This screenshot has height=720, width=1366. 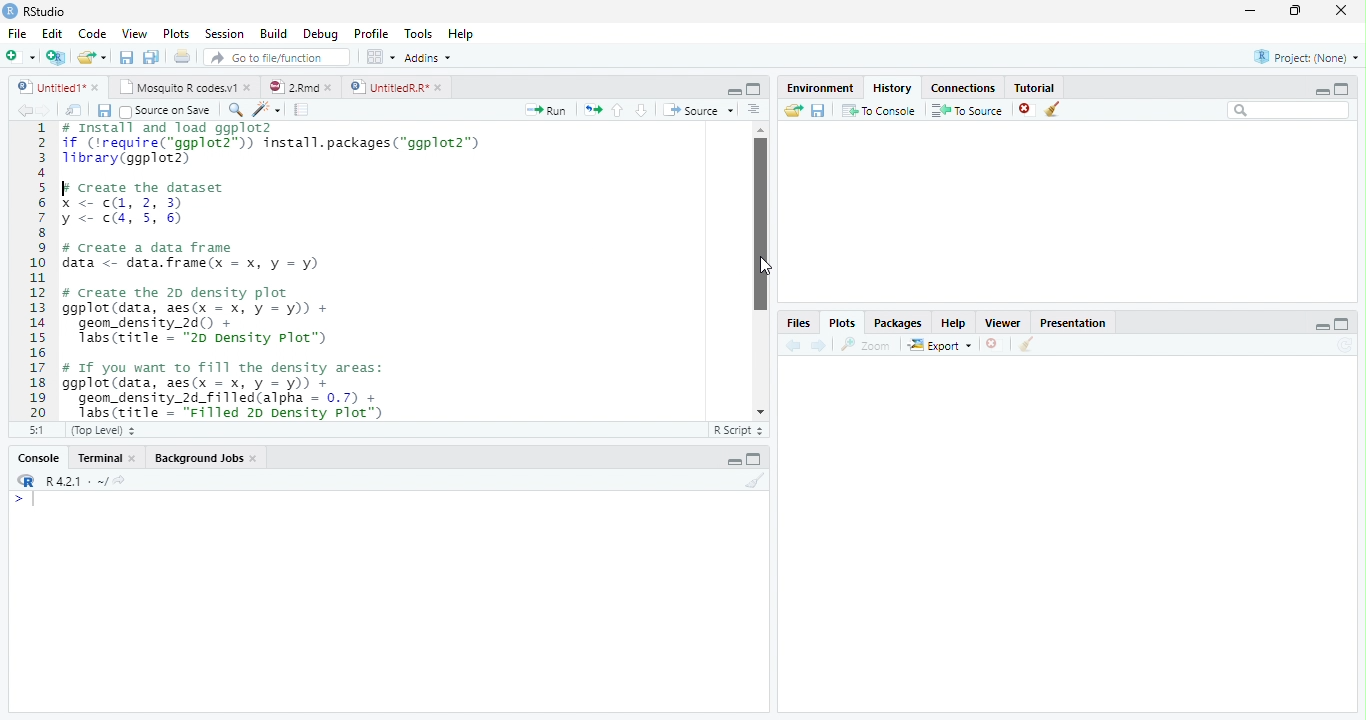 I want to click on Clear, so click(x=756, y=480).